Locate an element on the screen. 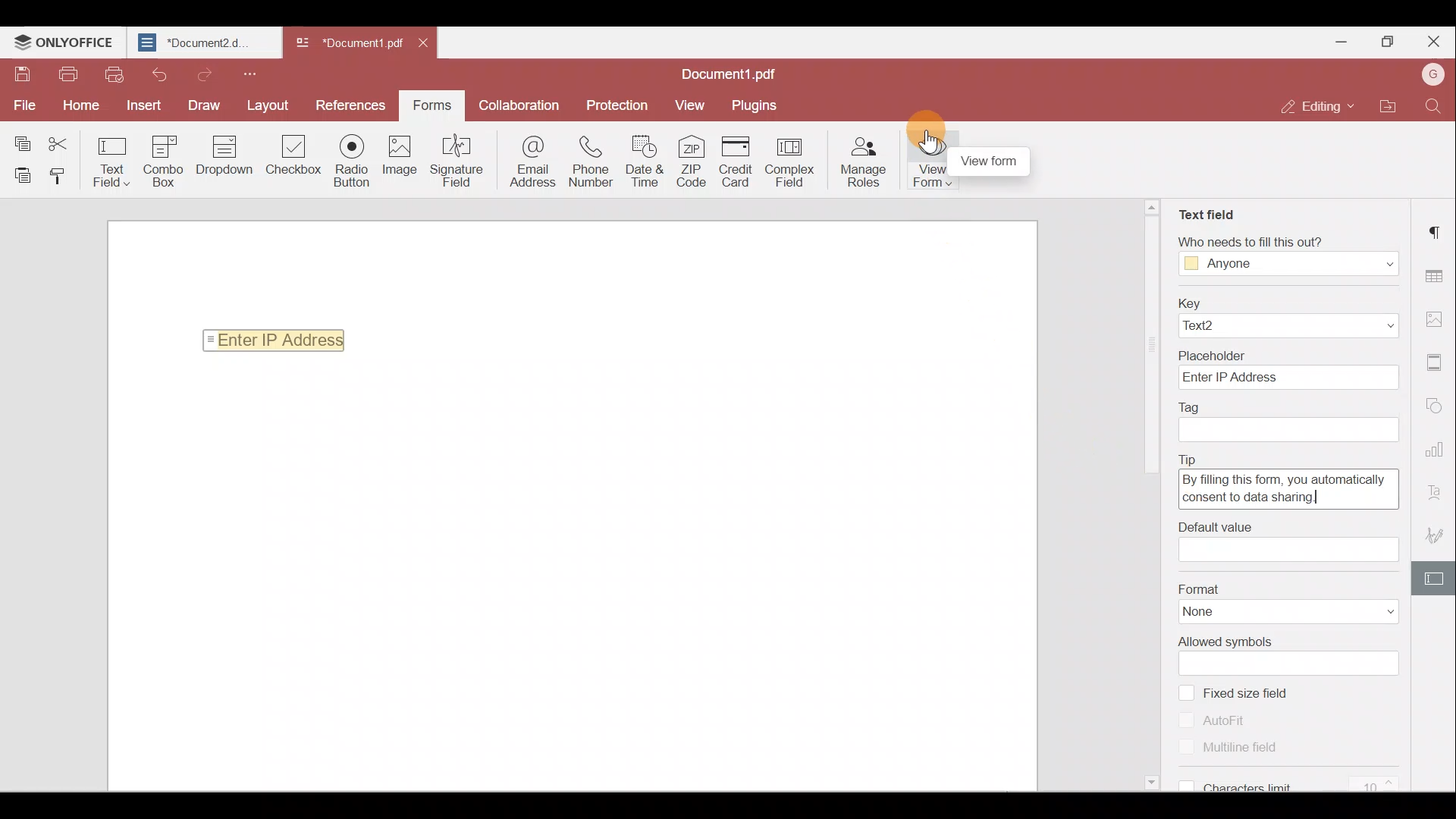 The width and height of the screenshot is (1456, 819). Multiline field is located at coordinates (1250, 748).